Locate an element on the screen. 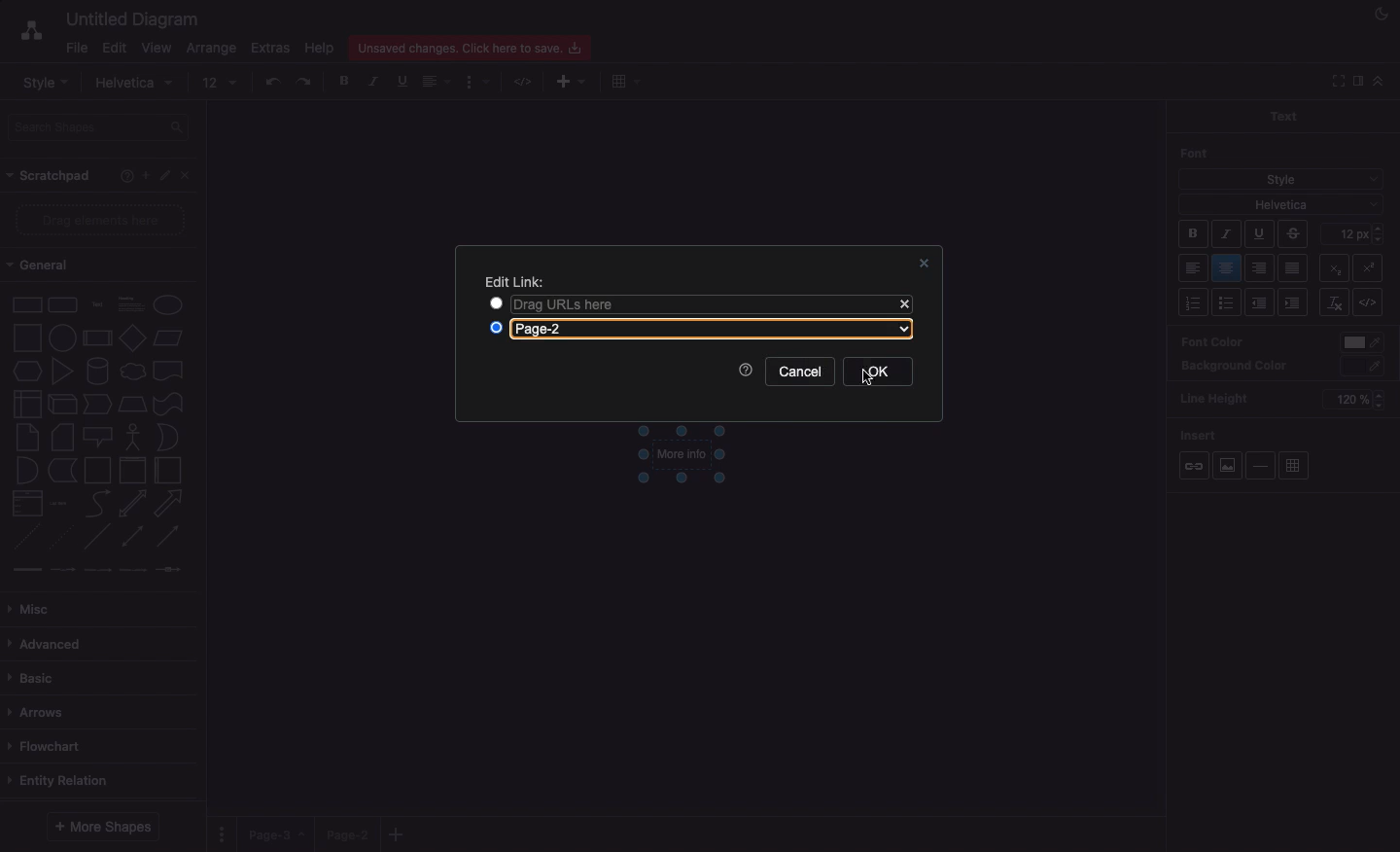 The width and height of the screenshot is (1400, 852). Page 2 is located at coordinates (345, 834).